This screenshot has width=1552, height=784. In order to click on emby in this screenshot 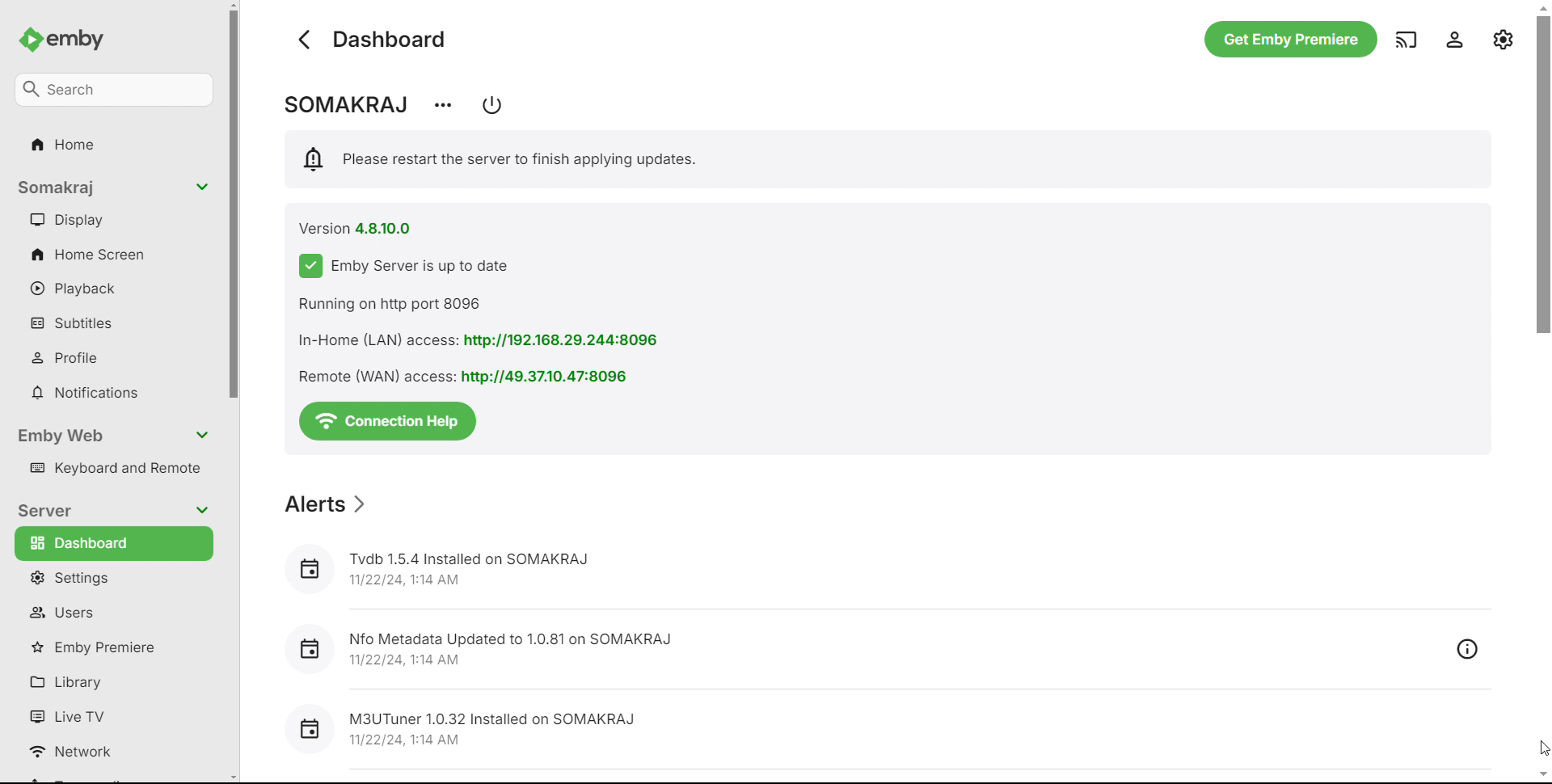, I will do `click(79, 39)`.